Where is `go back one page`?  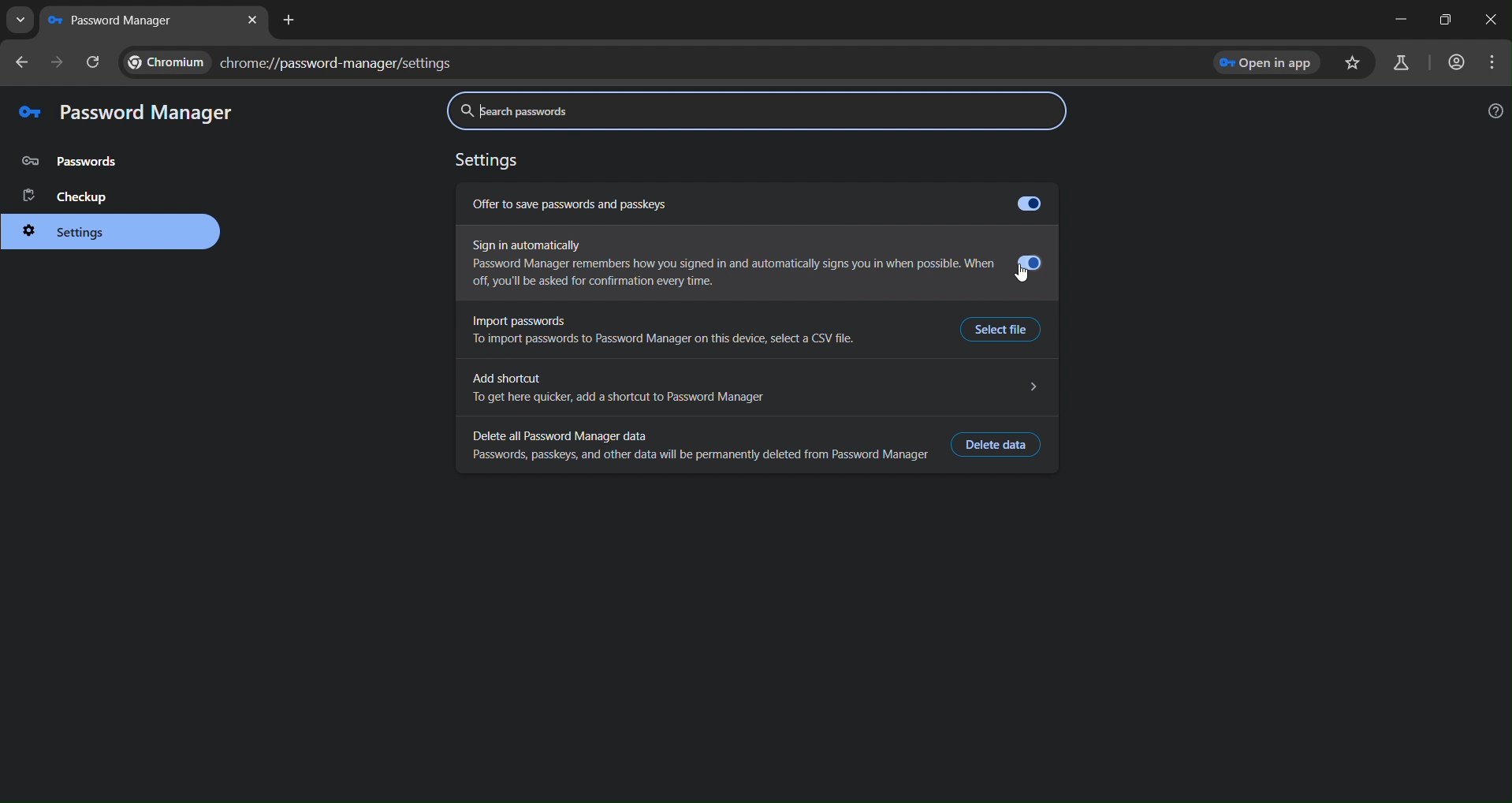 go back one page is located at coordinates (22, 62).